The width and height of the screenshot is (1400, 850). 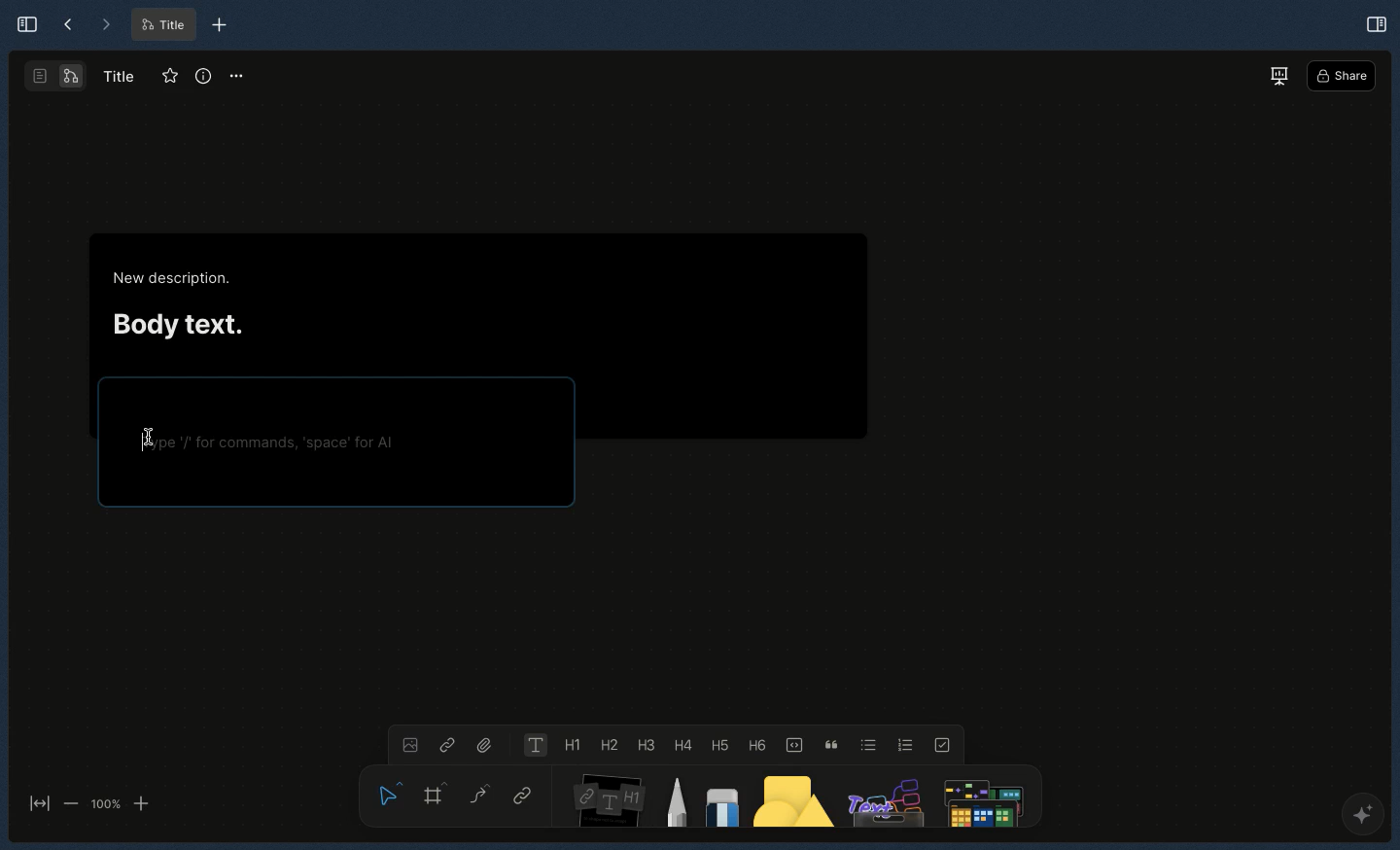 I want to click on cursor, so click(x=148, y=436).